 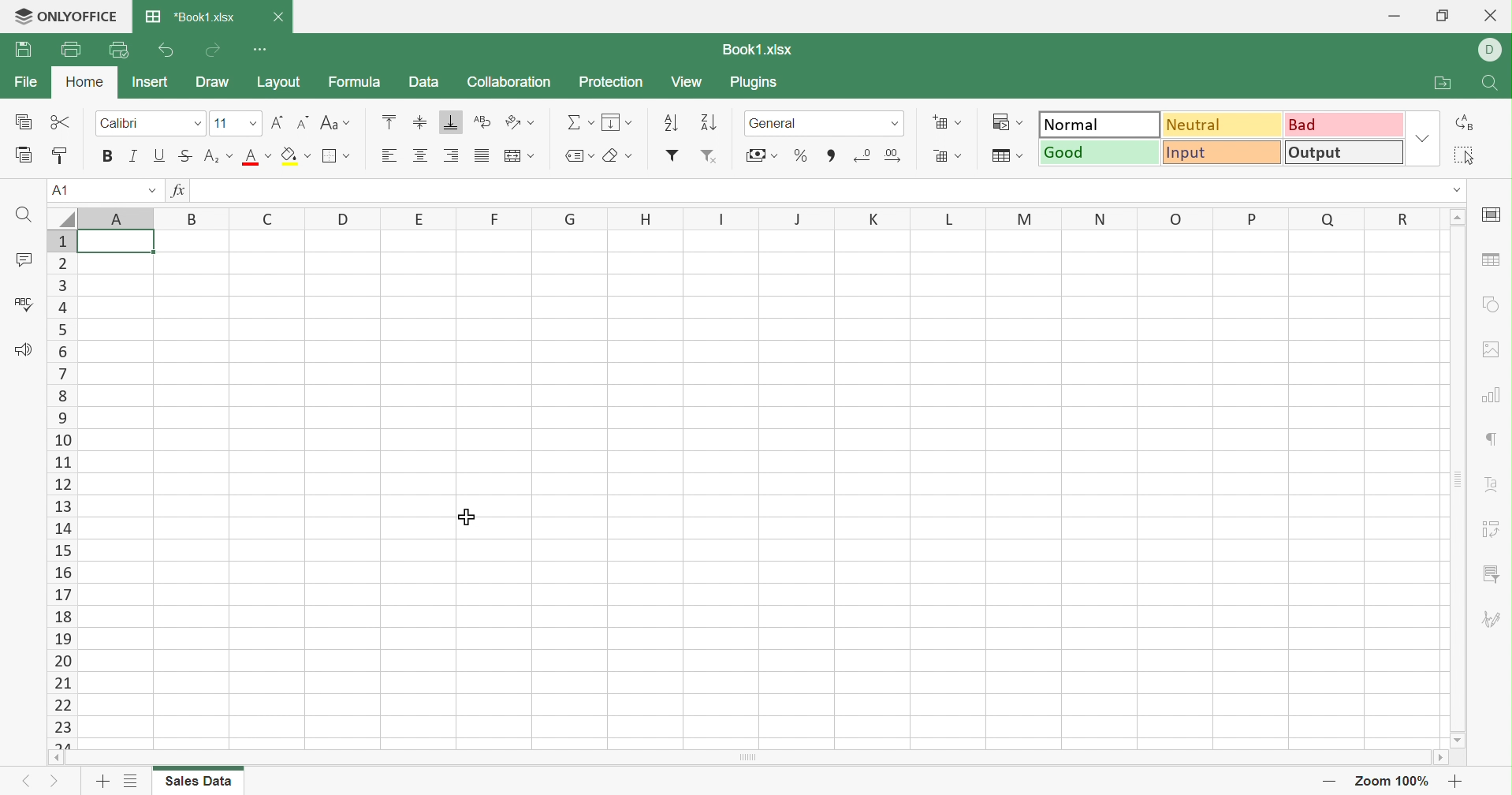 I want to click on Save, so click(x=21, y=50).